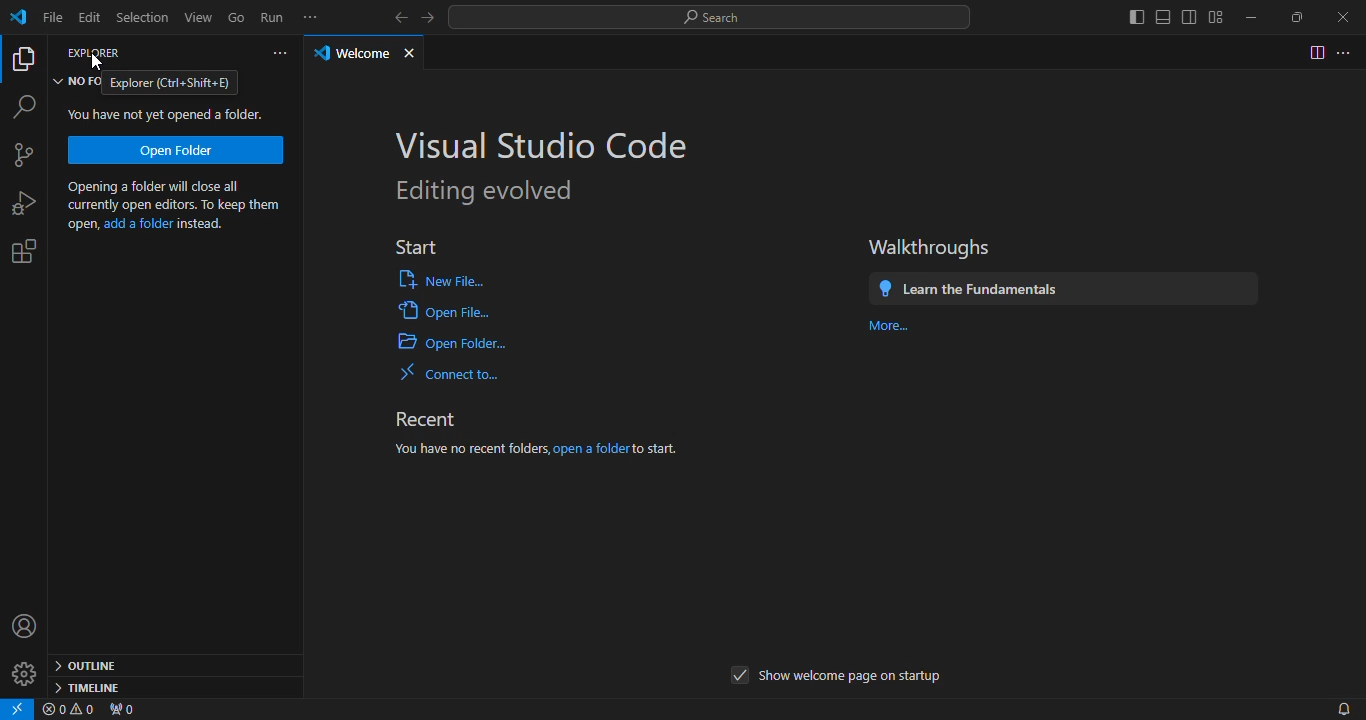 This screenshot has height=720, width=1366. Describe the element at coordinates (1168, 16) in the screenshot. I see `move to sides` at that location.